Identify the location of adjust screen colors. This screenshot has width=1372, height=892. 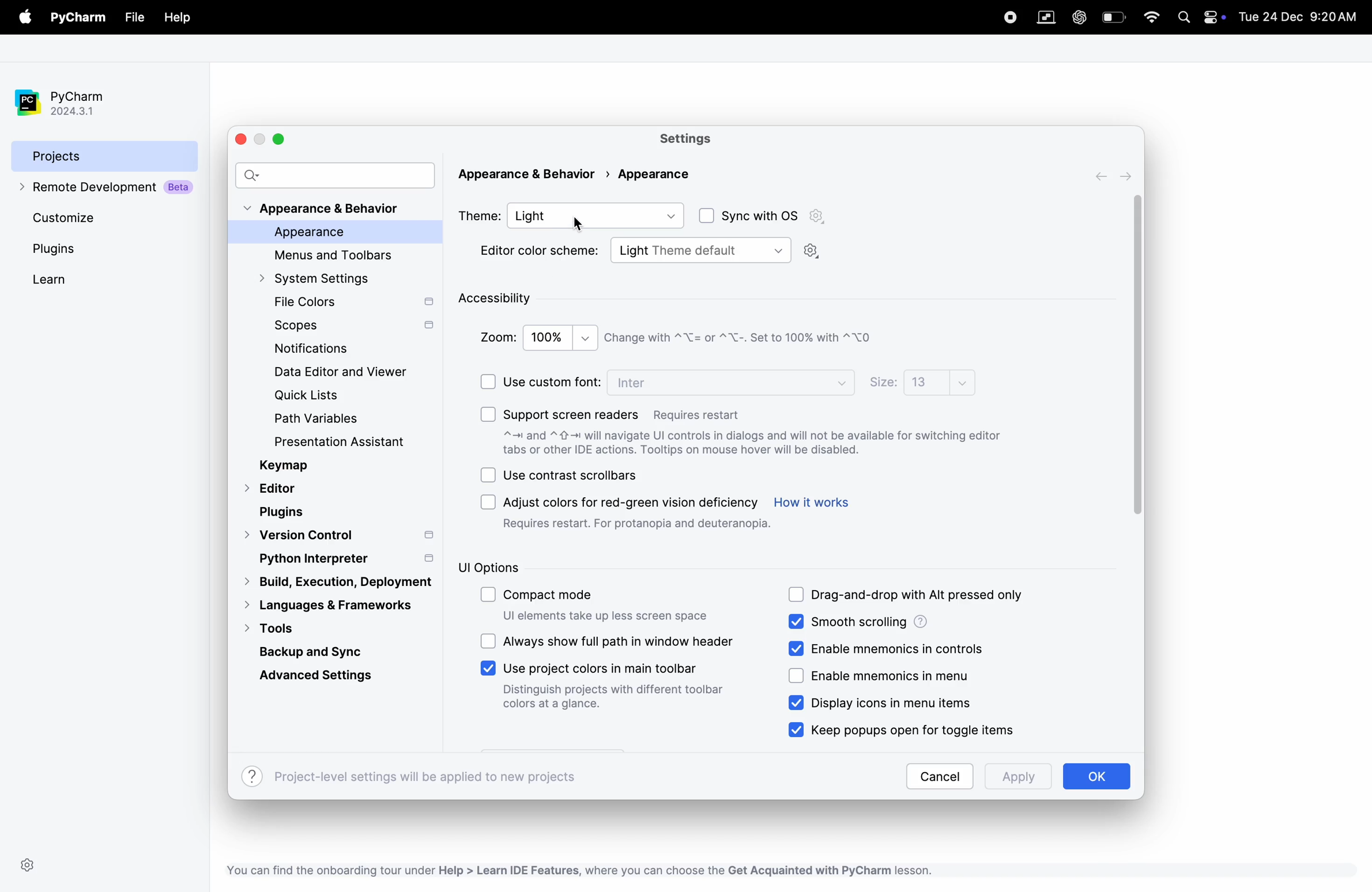
(638, 512).